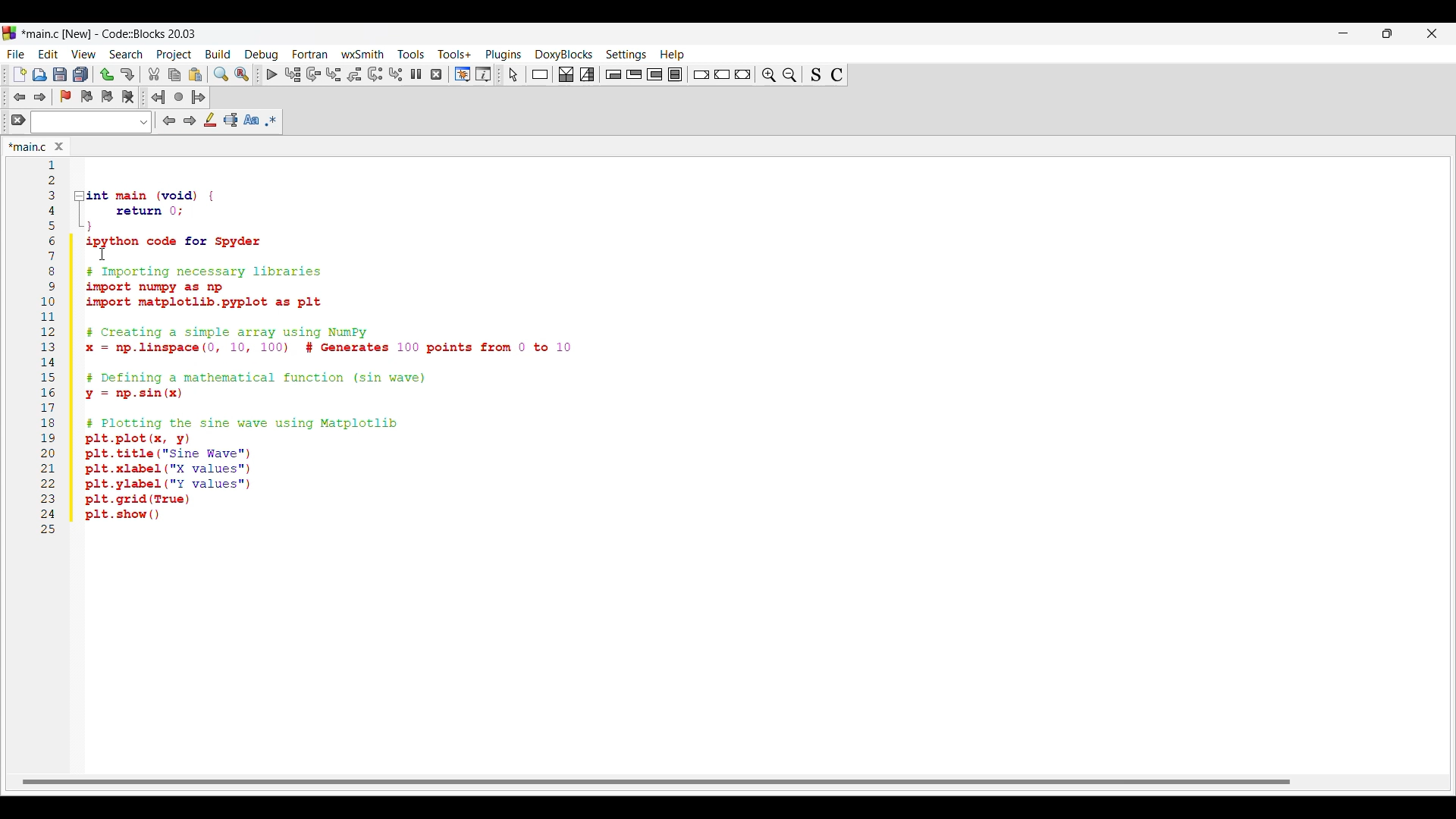 The width and height of the screenshot is (1456, 819). What do you see at coordinates (789, 74) in the screenshot?
I see `Zoom in` at bounding box center [789, 74].